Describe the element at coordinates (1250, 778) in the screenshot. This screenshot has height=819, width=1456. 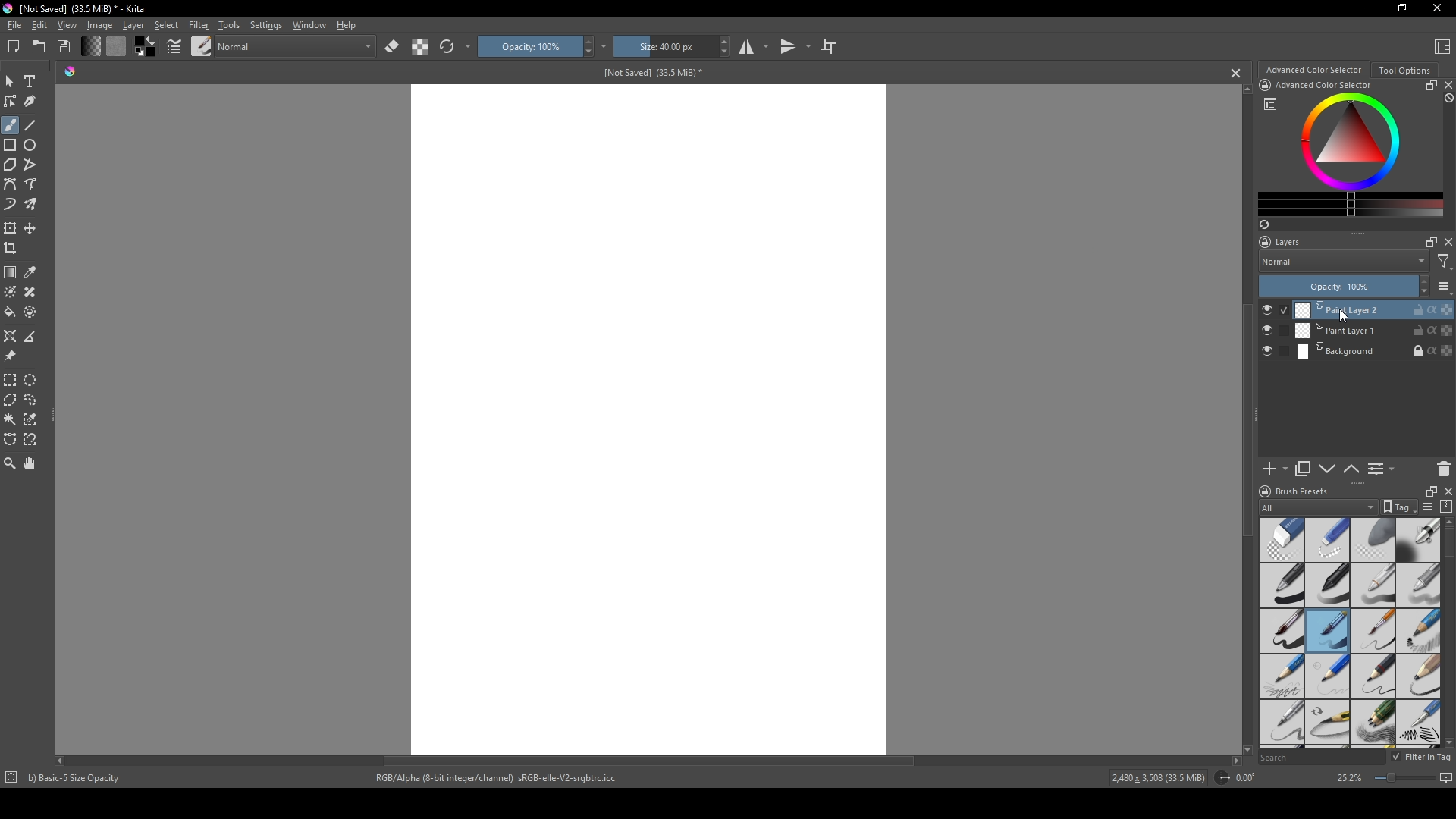
I see `0.00` at that location.